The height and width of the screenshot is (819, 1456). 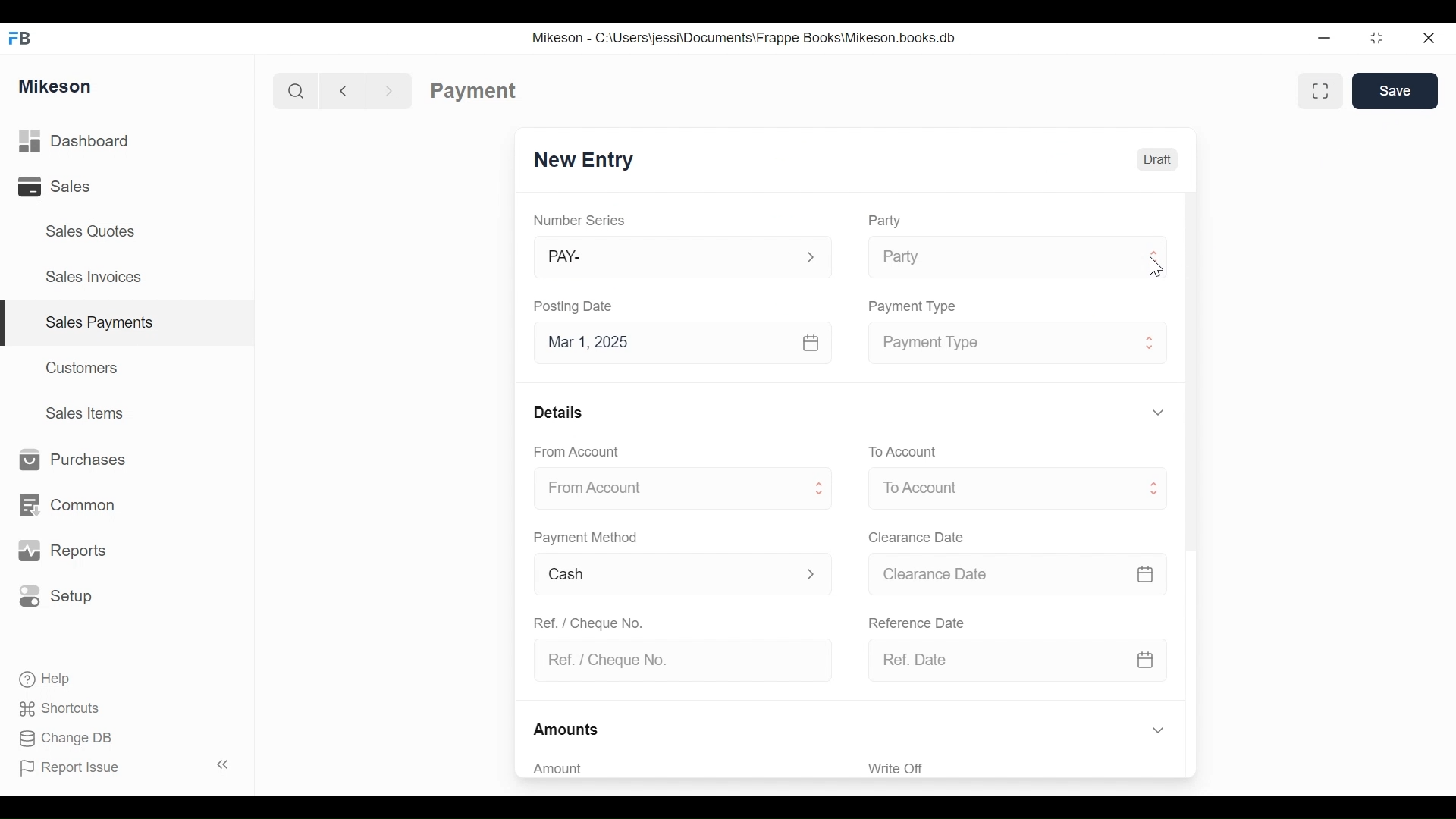 What do you see at coordinates (56, 679) in the screenshot?
I see `Help` at bounding box center [56, 679].